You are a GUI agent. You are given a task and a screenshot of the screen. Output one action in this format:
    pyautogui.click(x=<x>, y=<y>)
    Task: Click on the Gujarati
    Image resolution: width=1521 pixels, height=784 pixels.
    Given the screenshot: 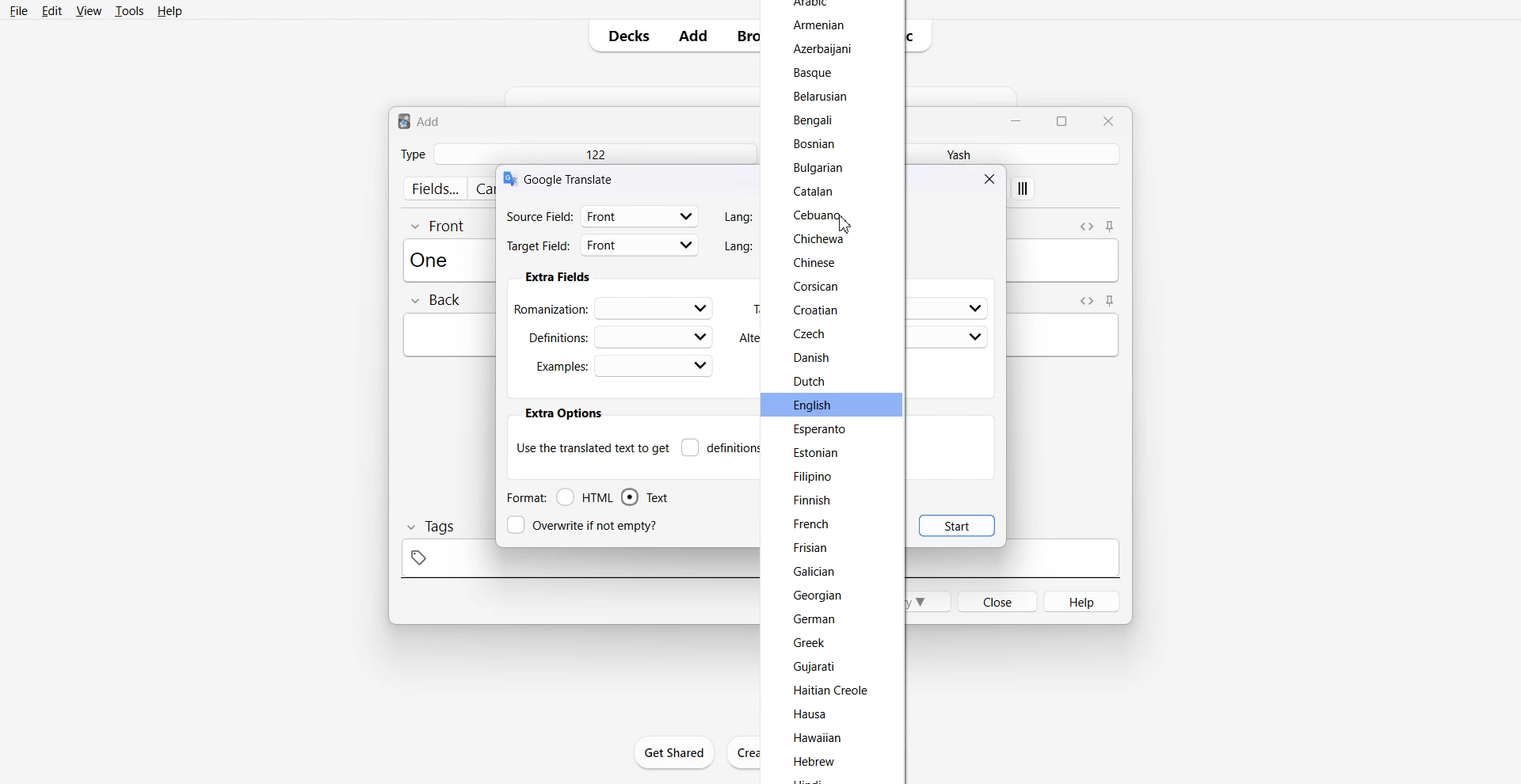 What is the action you would take?
    pyautogui.click(x=816, y=668)
    